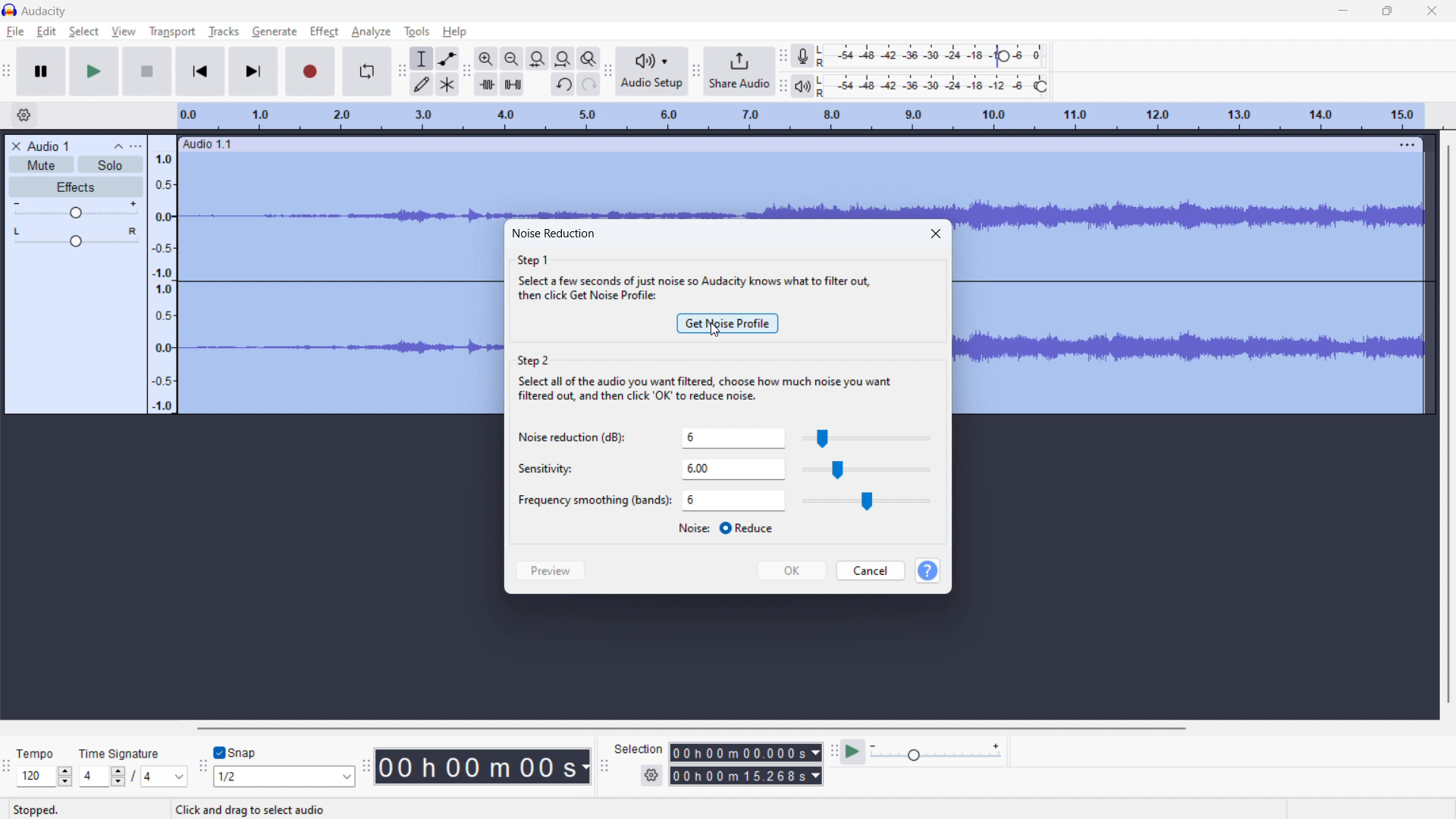 This screenshot has width=1456, height=819. I want to click on step 1, so click(693, 275).